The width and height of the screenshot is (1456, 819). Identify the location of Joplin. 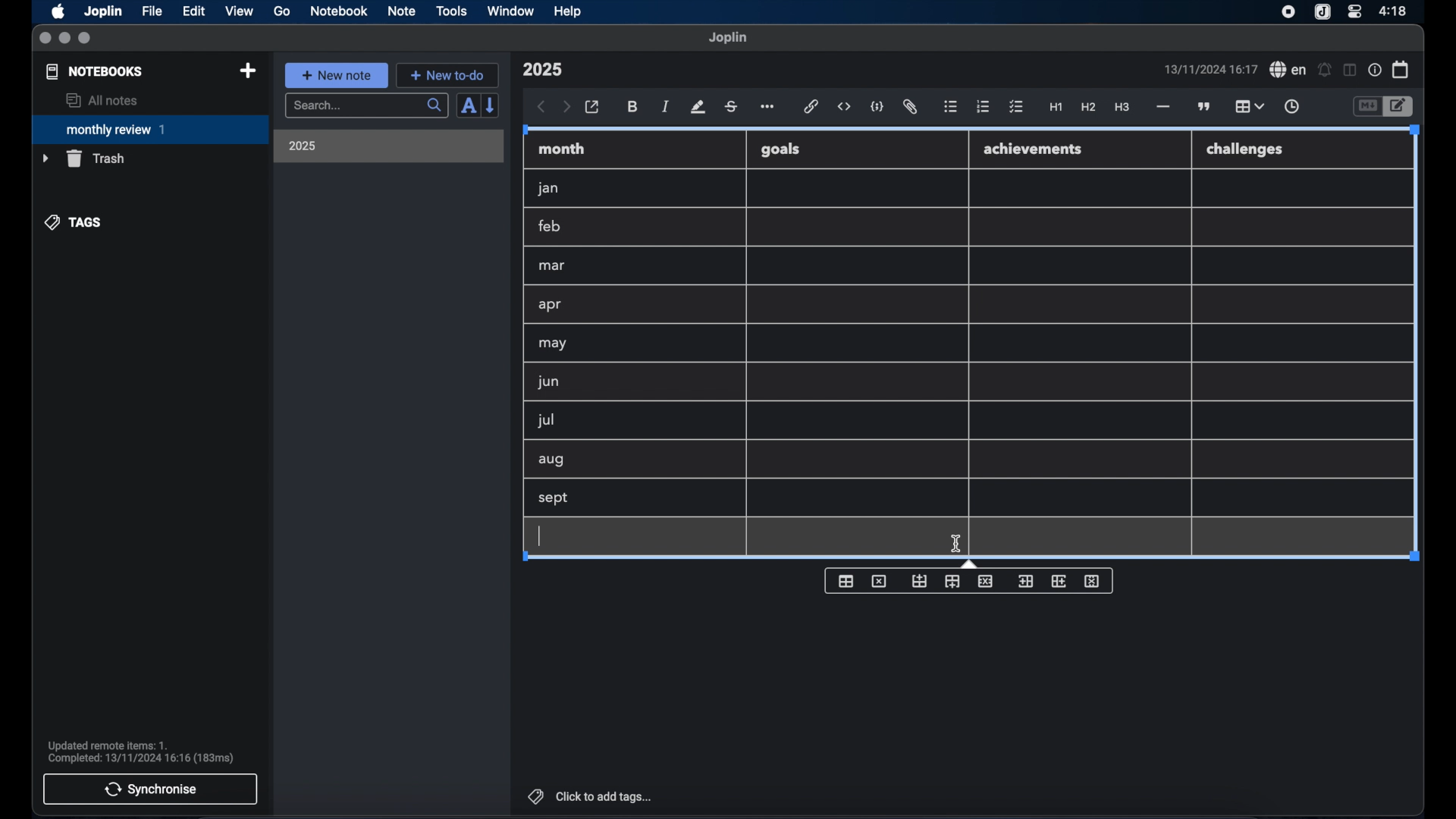
(105, 12).